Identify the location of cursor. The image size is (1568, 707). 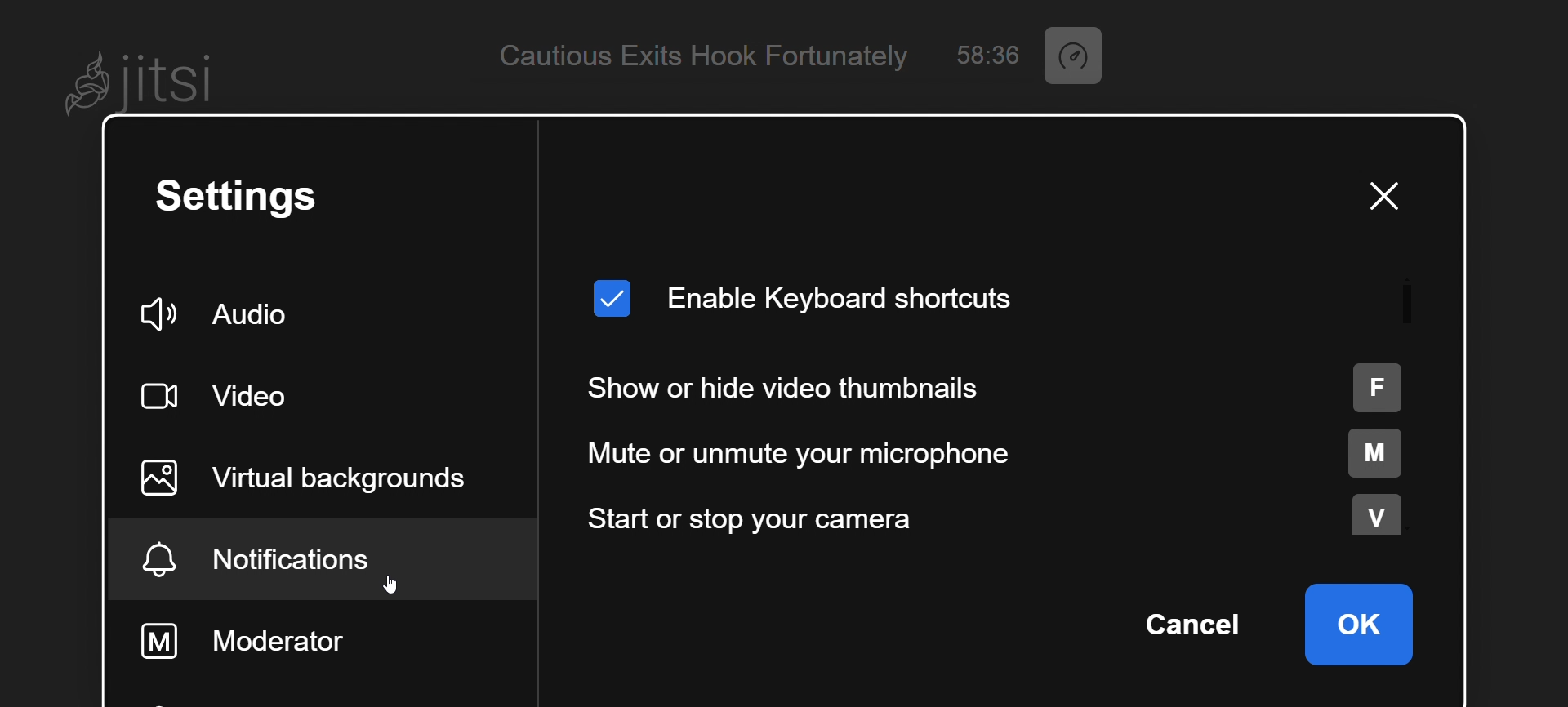
(385, 580).